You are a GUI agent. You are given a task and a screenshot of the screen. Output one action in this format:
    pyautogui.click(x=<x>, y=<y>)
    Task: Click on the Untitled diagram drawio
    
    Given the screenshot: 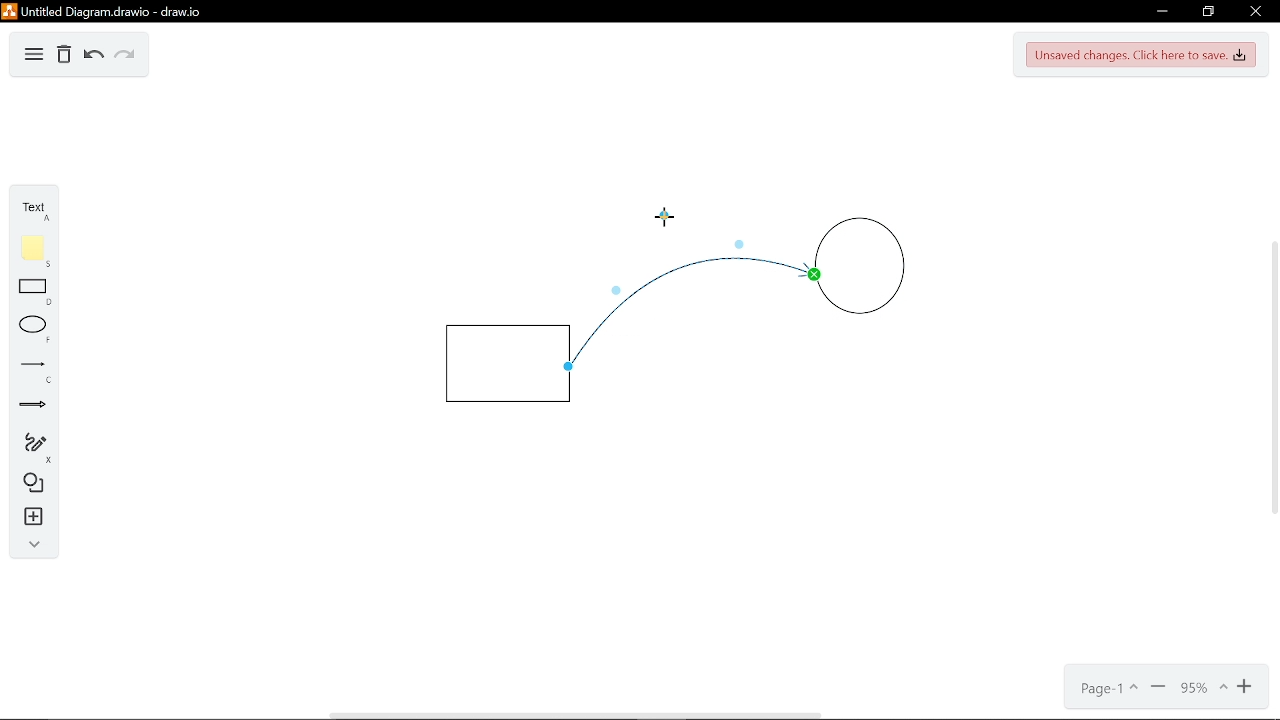 What is the action you would take?
    pyautogui.click(x=104, y=13)
    